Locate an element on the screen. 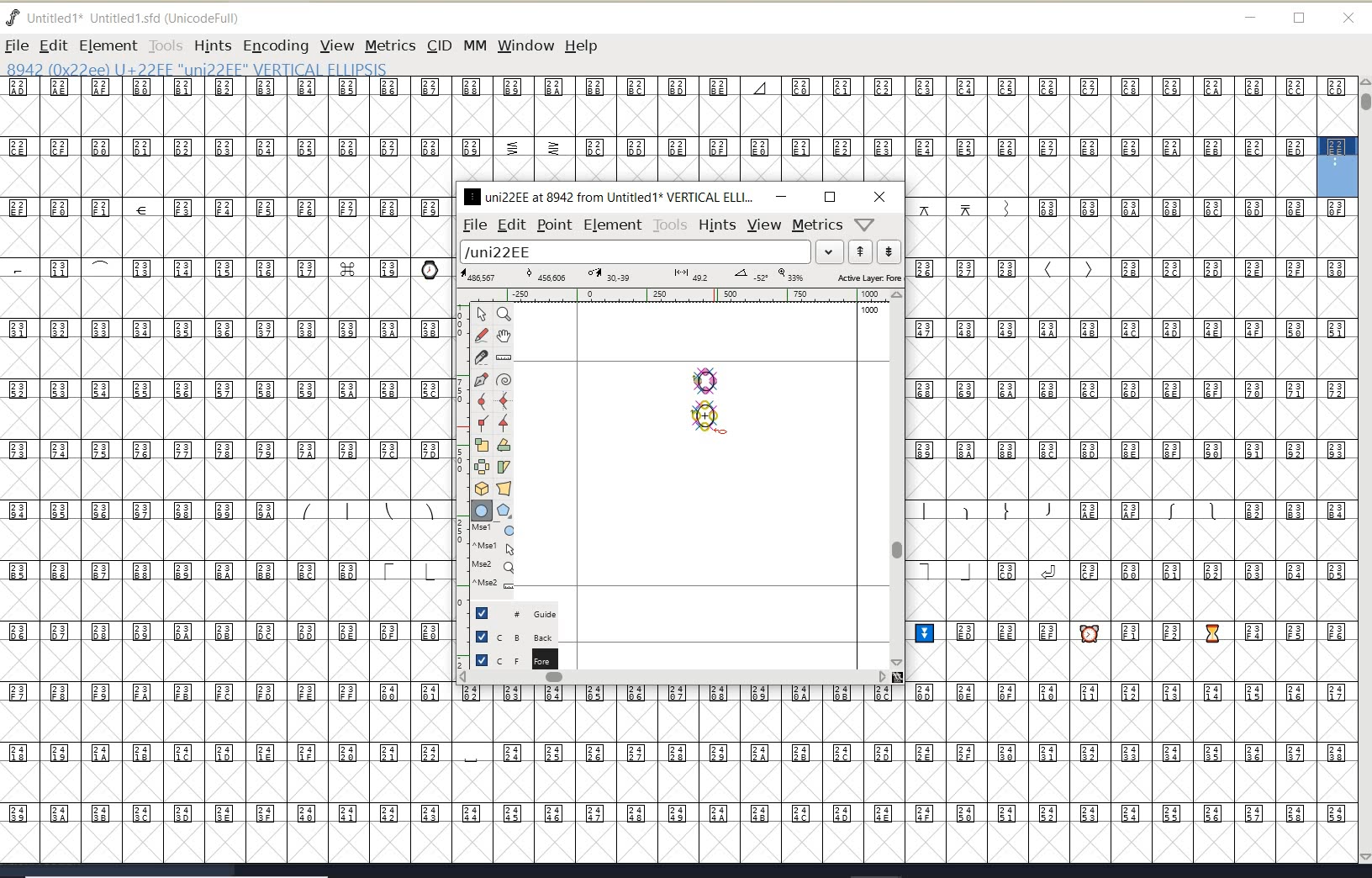 This screenshot has width=1372, height=878. foreground is located at coordinates (514, 658).